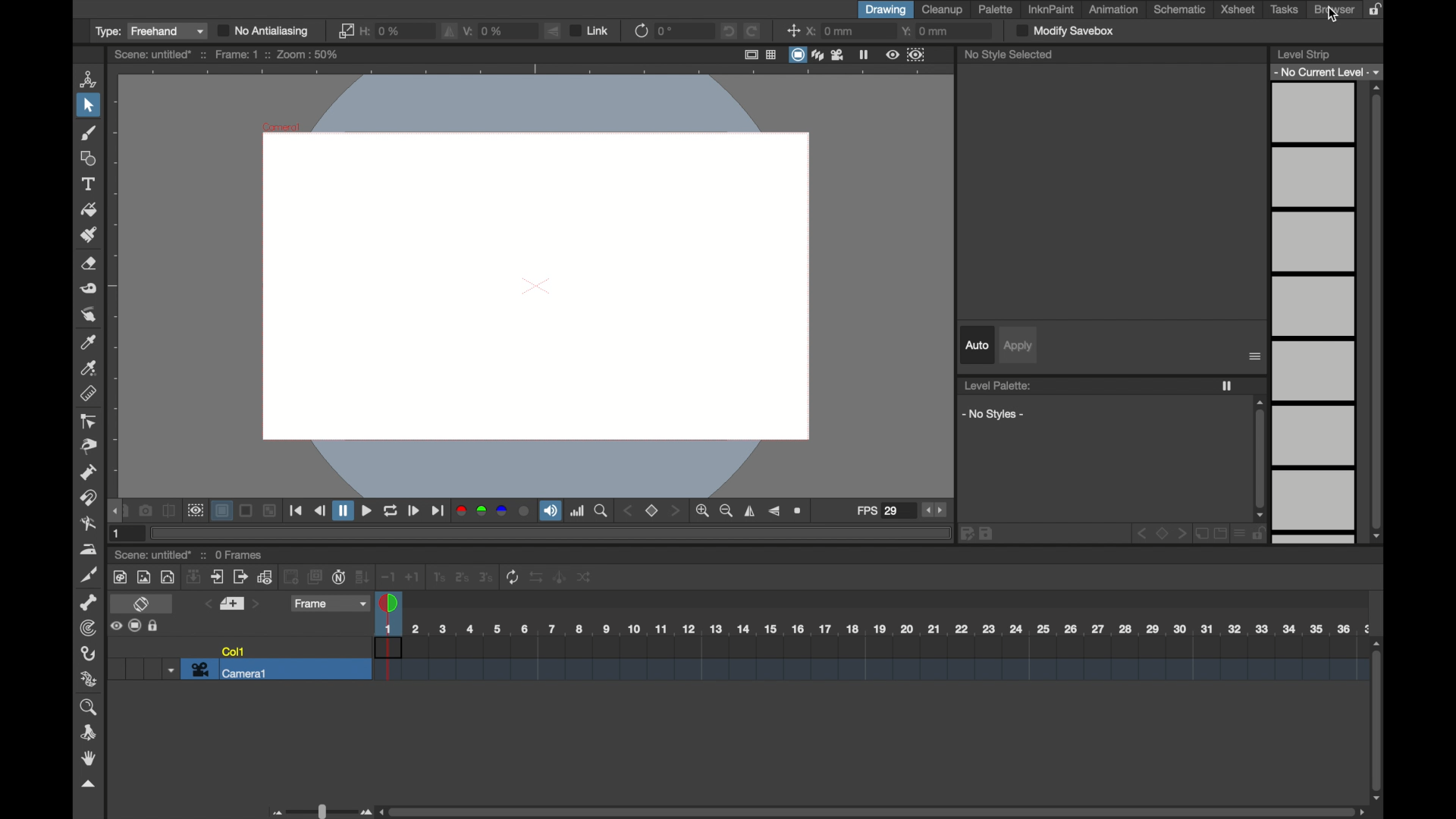 The image size is (1456, 819). I want to click on h: 0%, so click(381, 31).